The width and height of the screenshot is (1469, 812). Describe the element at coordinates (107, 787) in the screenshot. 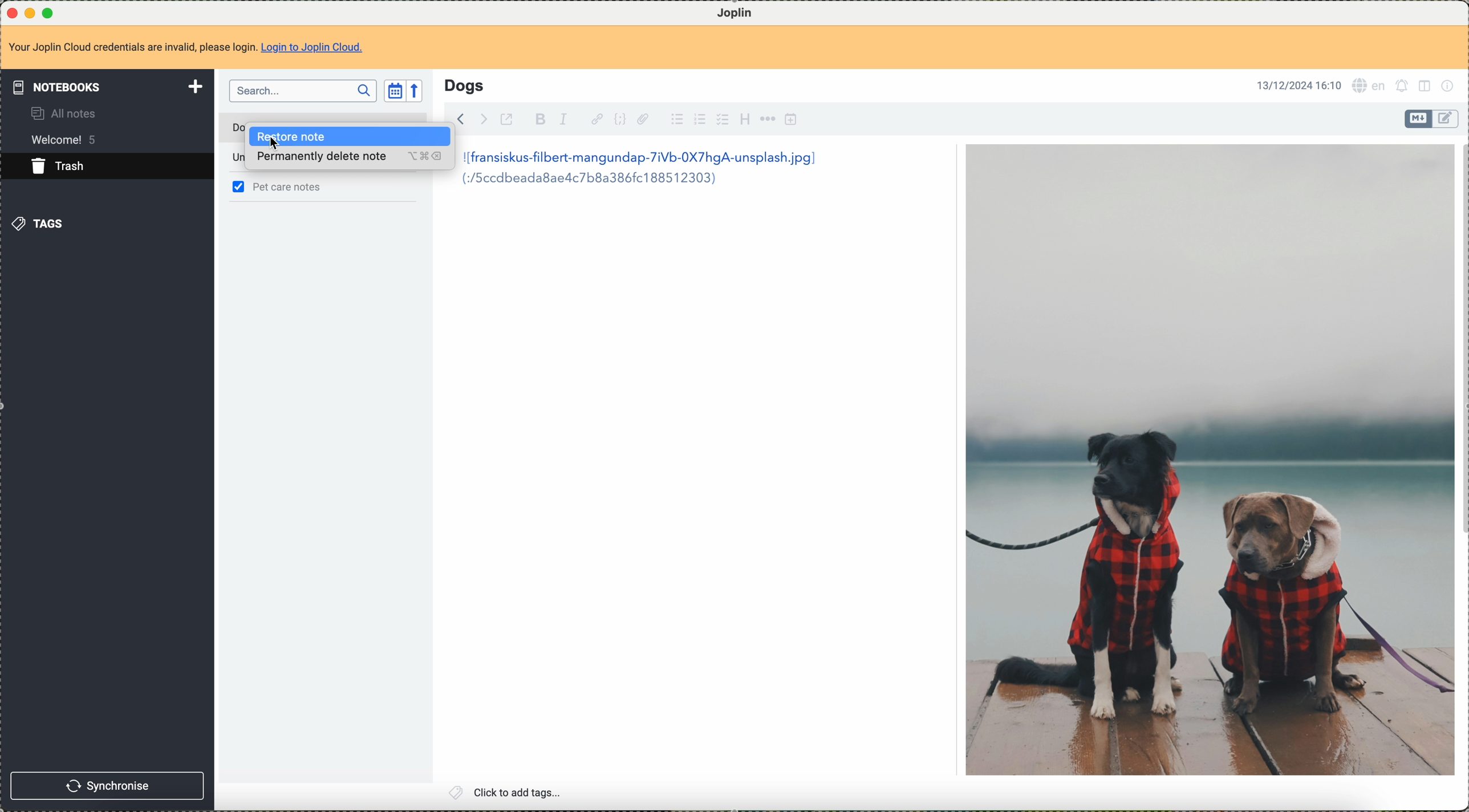

I see `synchronise` at that location.